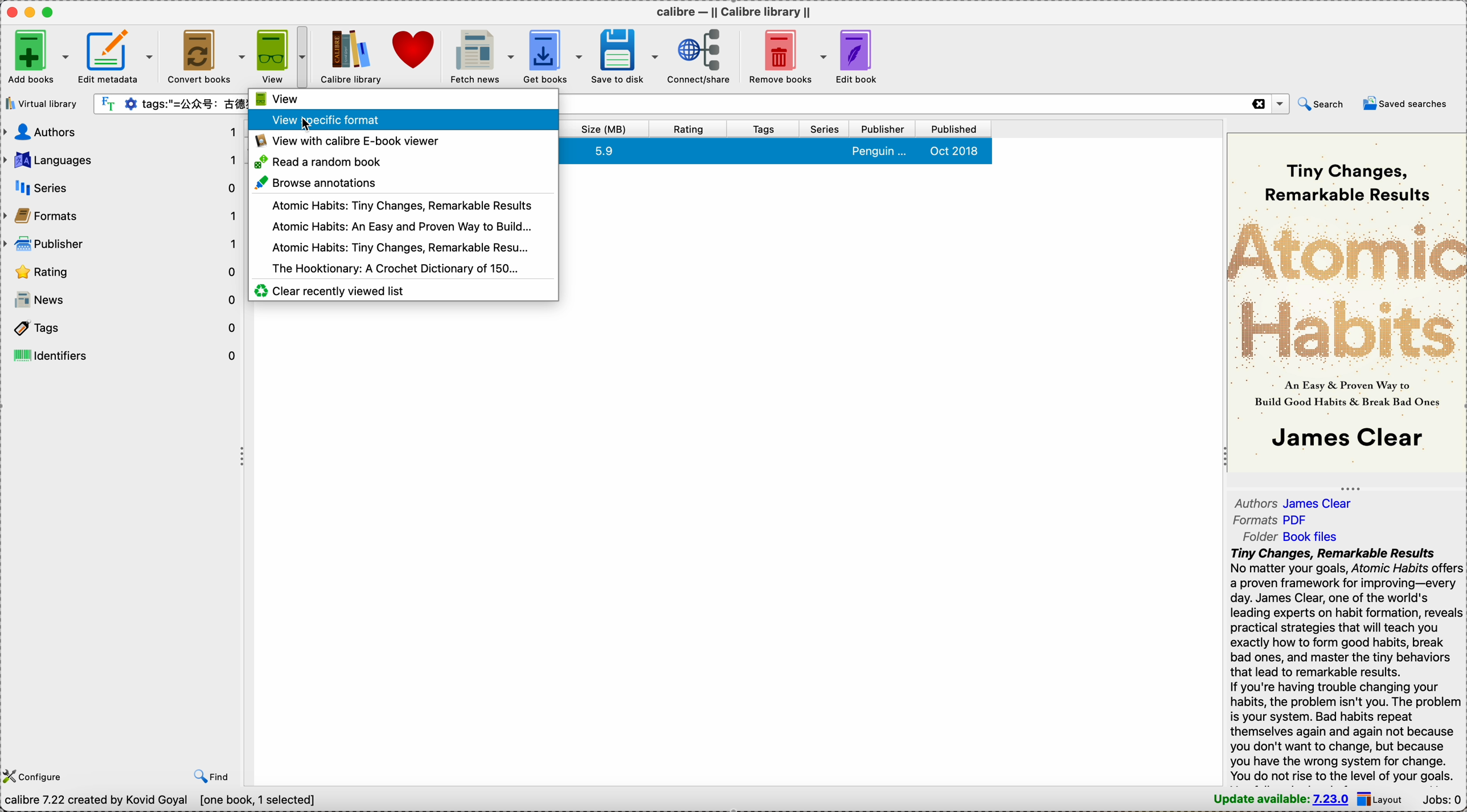 This screenshot has width=1467, height=812. I want to click on edit book, so click(858, 58).